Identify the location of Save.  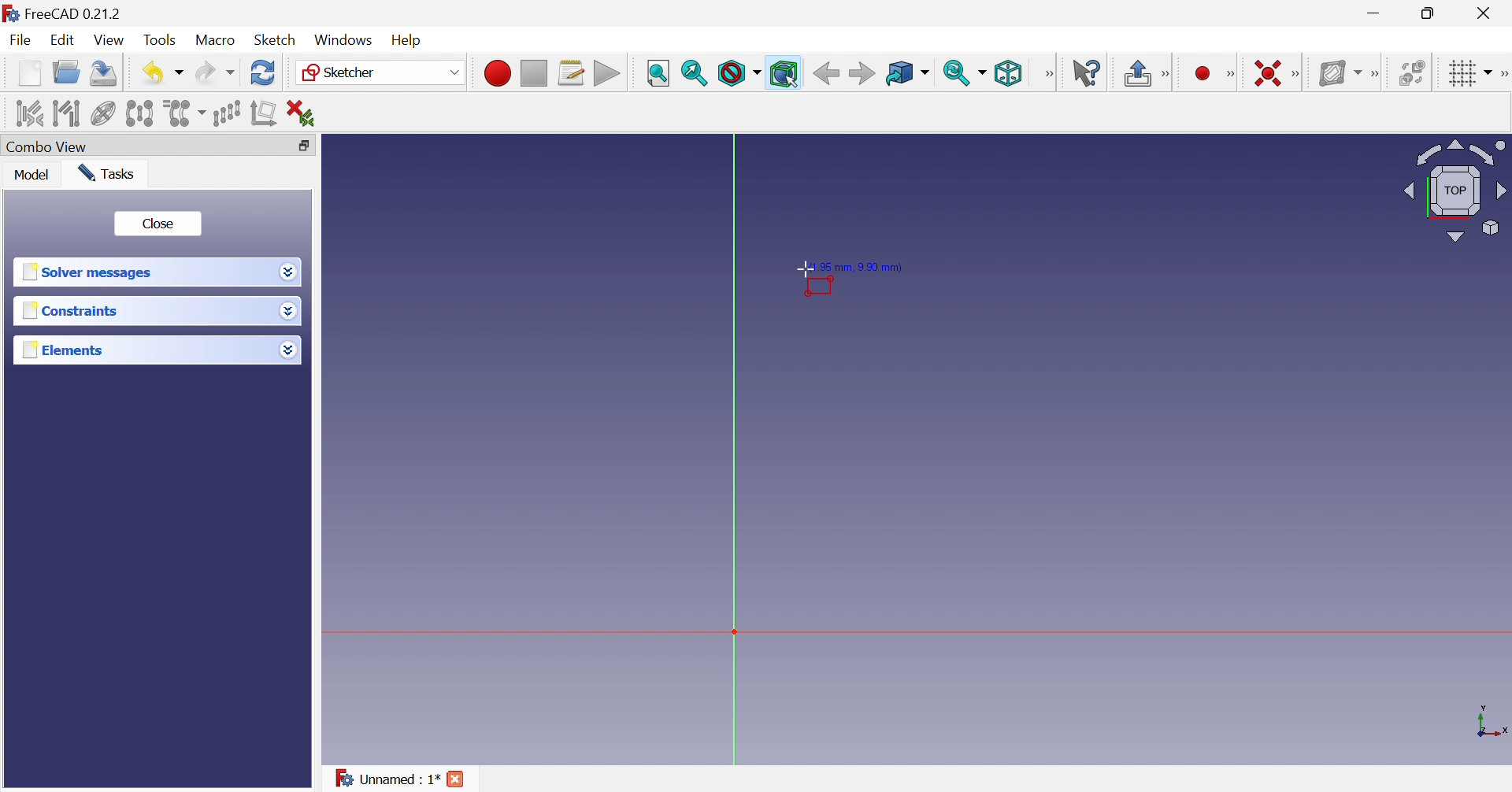
(161, 73).